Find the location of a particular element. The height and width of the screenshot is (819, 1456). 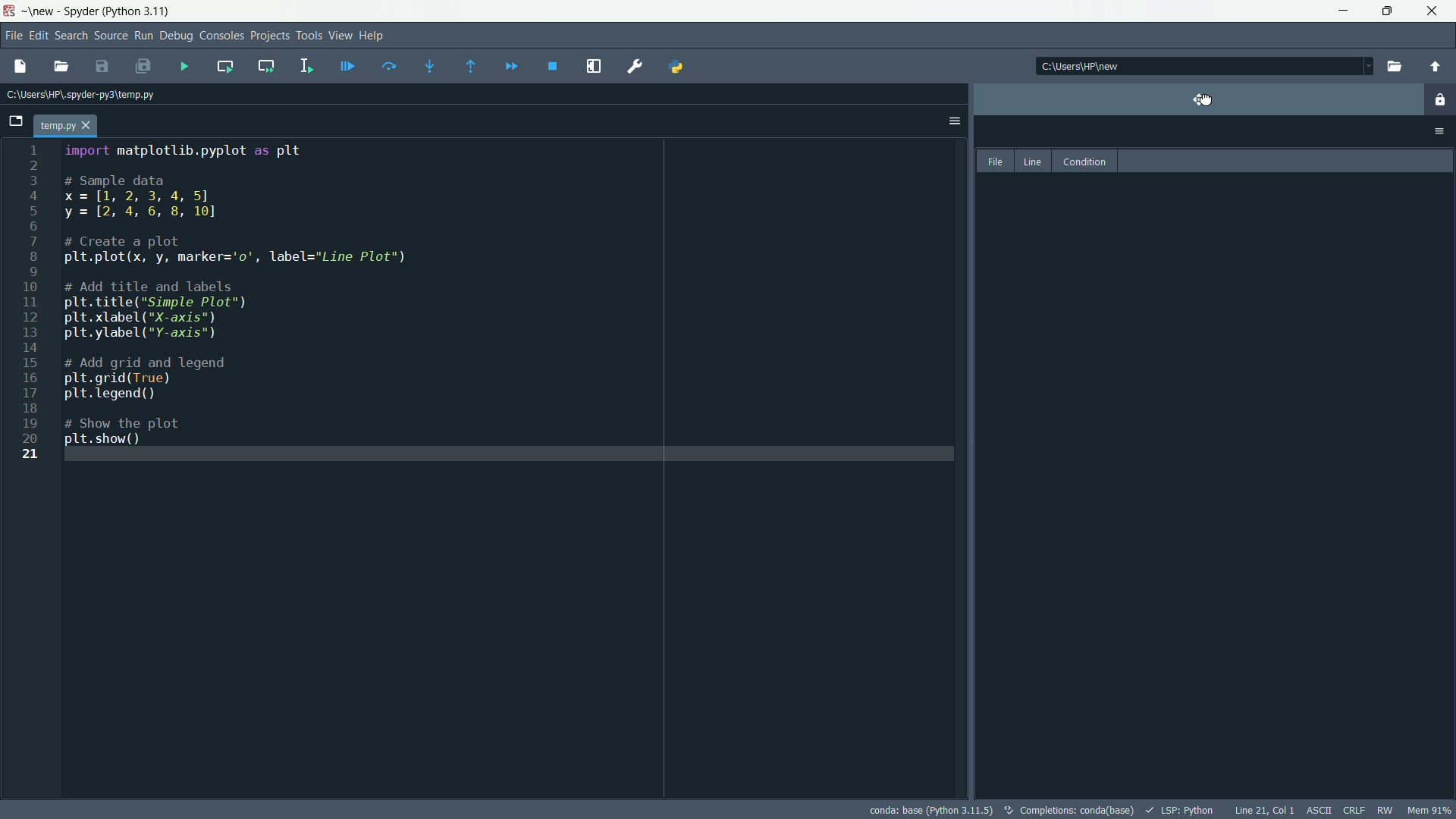

run current cell and go to next one is located at coordinates (264, 64).